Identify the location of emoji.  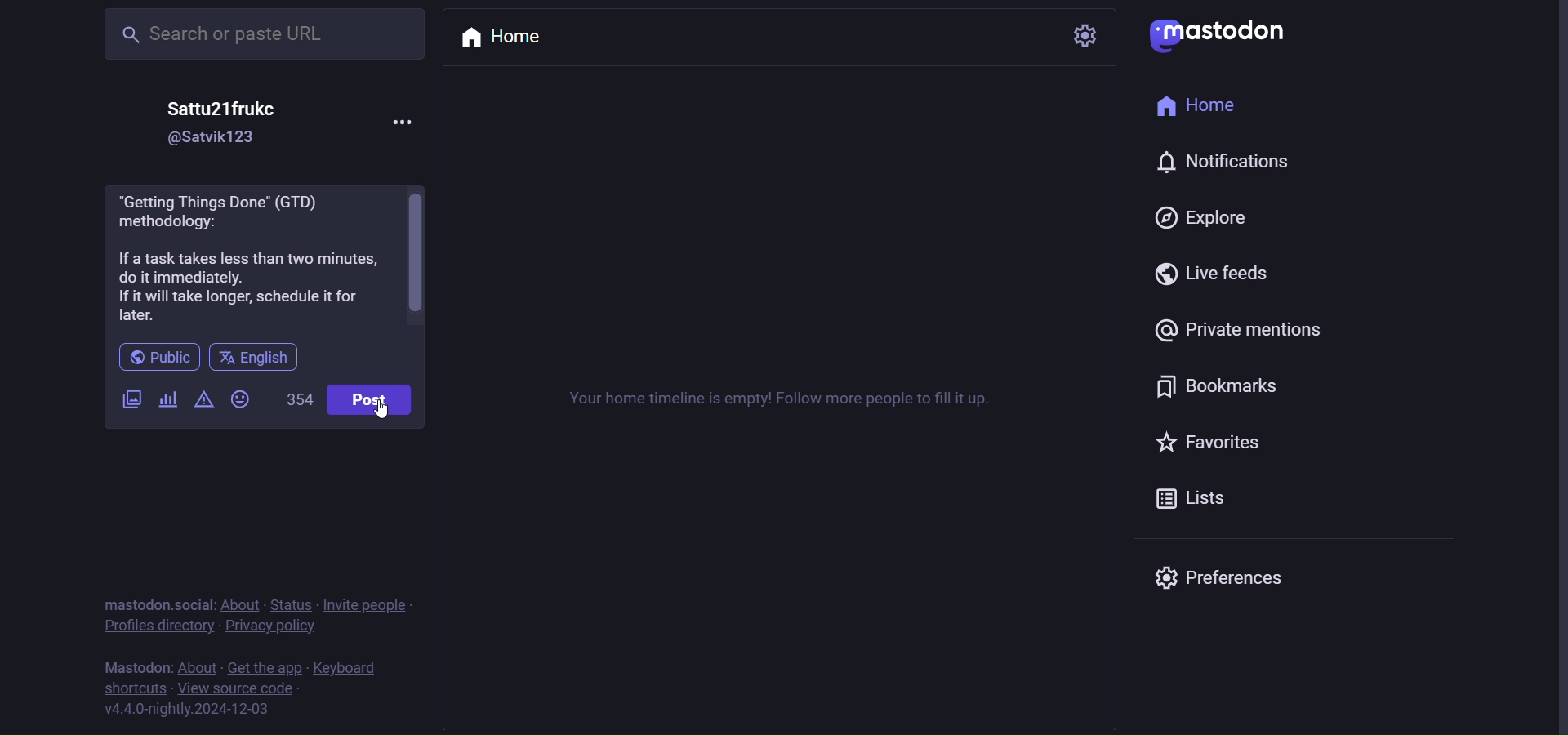
(241, 400).